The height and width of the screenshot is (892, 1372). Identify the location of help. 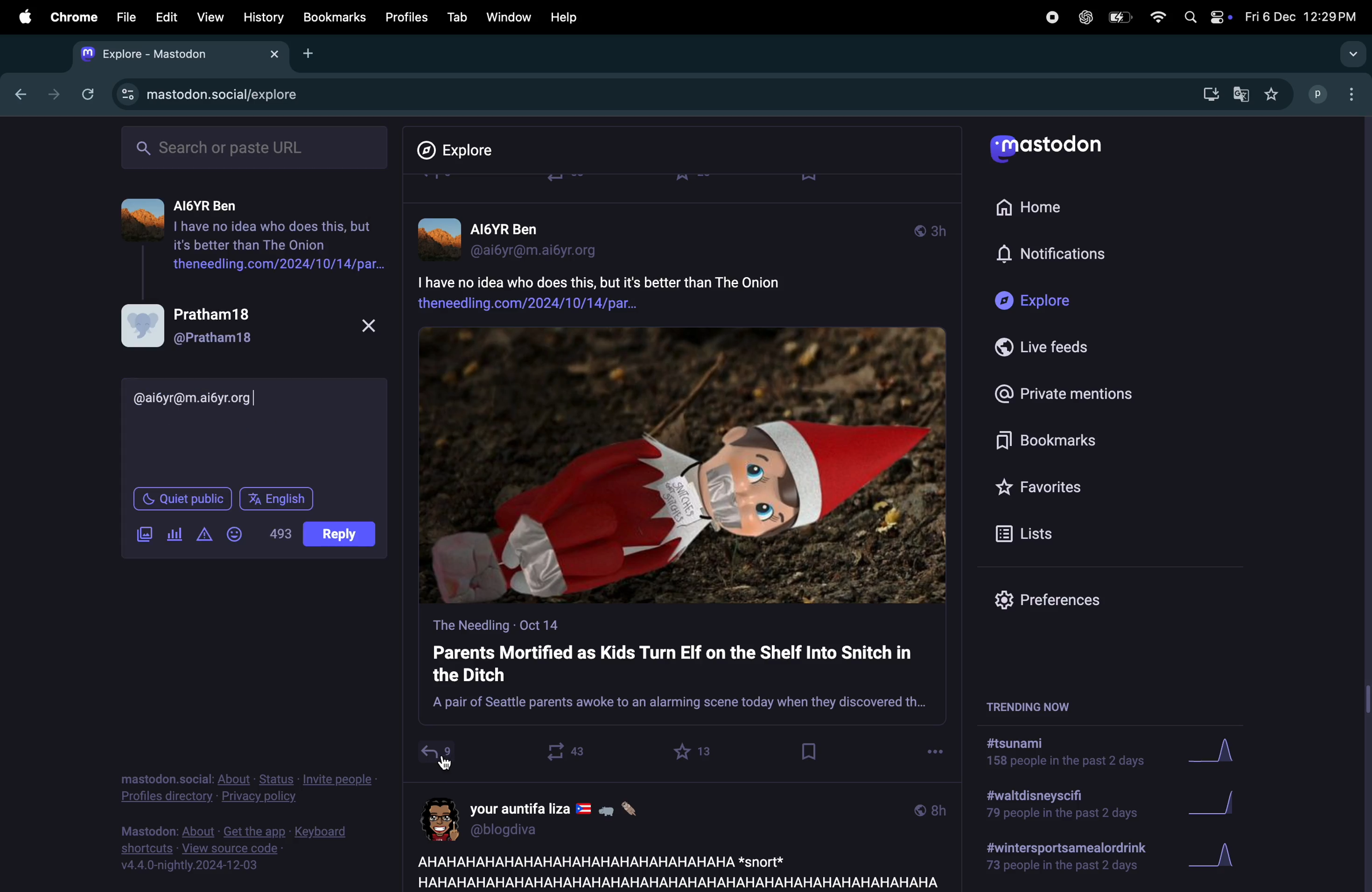
(564, 17).